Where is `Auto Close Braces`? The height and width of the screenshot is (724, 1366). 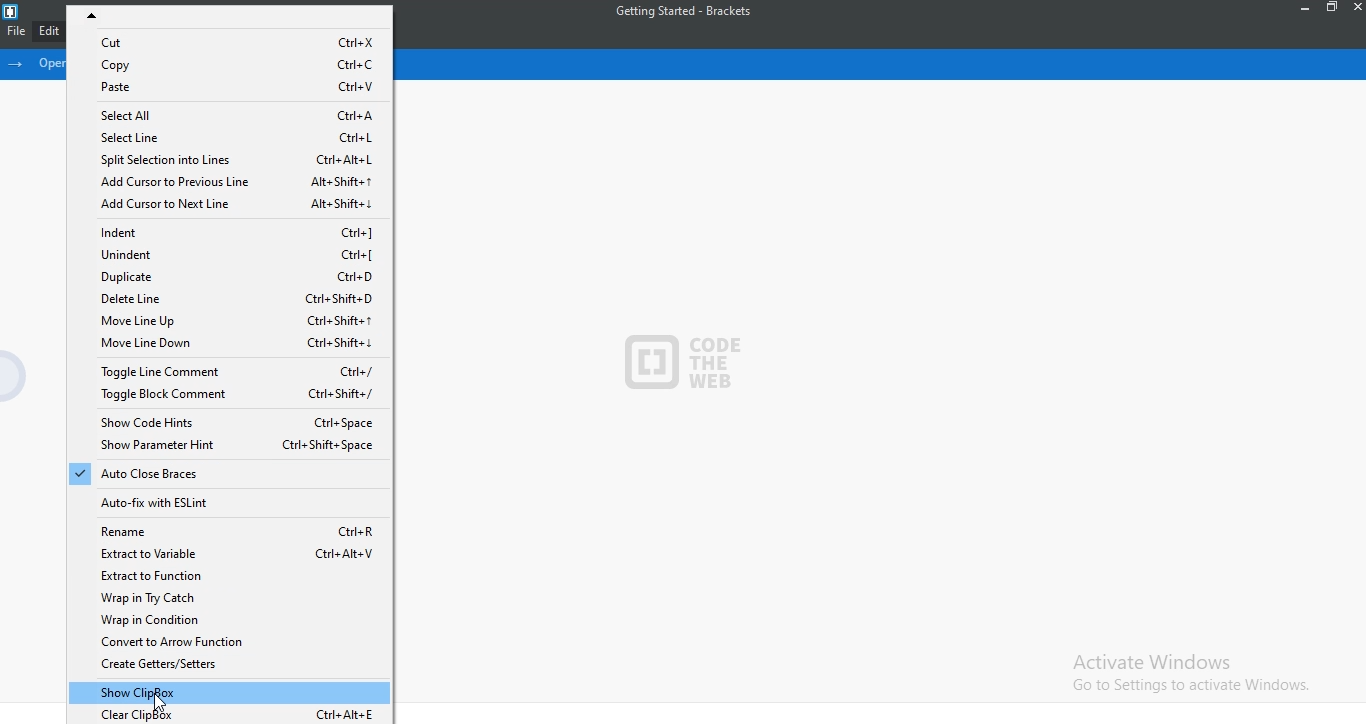
Auto Close Braces is located at coordinates (224, 475).